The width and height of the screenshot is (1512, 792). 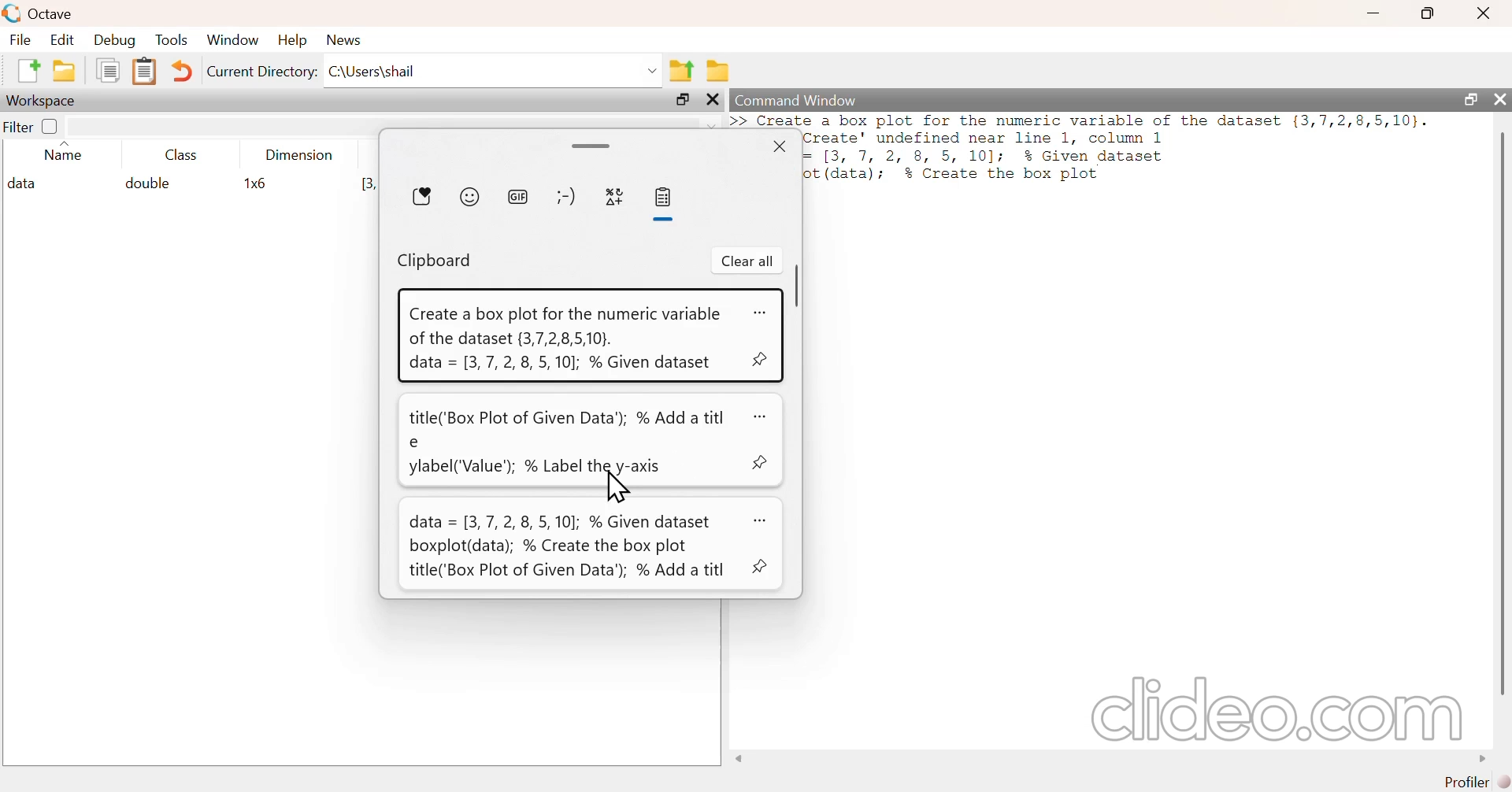 What do you see at coordinates (565, 324) in the screenshot?
I see `Create a box plot for the numeric variable
of the dataset {3,7,2,8,5,10}.` at bounding box center [565, 324].